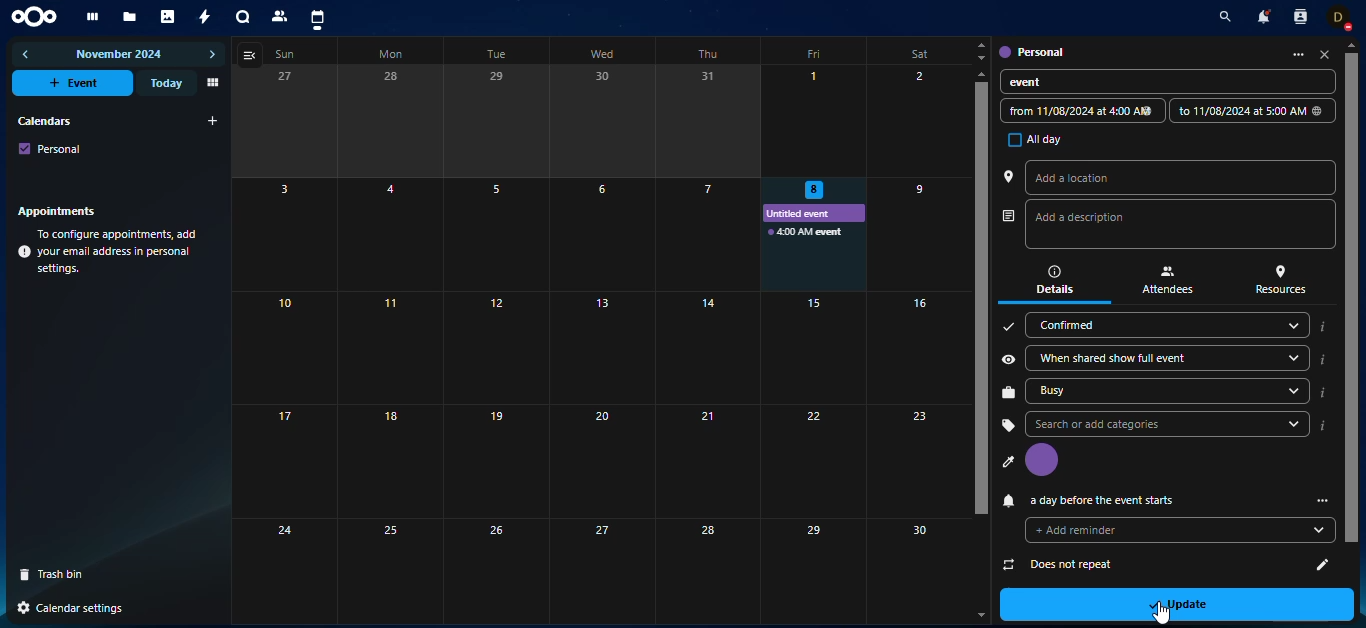 The width and height of the screenshot is (1366, 628). Describe the element at coordinates (110, 252) in the screenshot. I see `info` at that location.